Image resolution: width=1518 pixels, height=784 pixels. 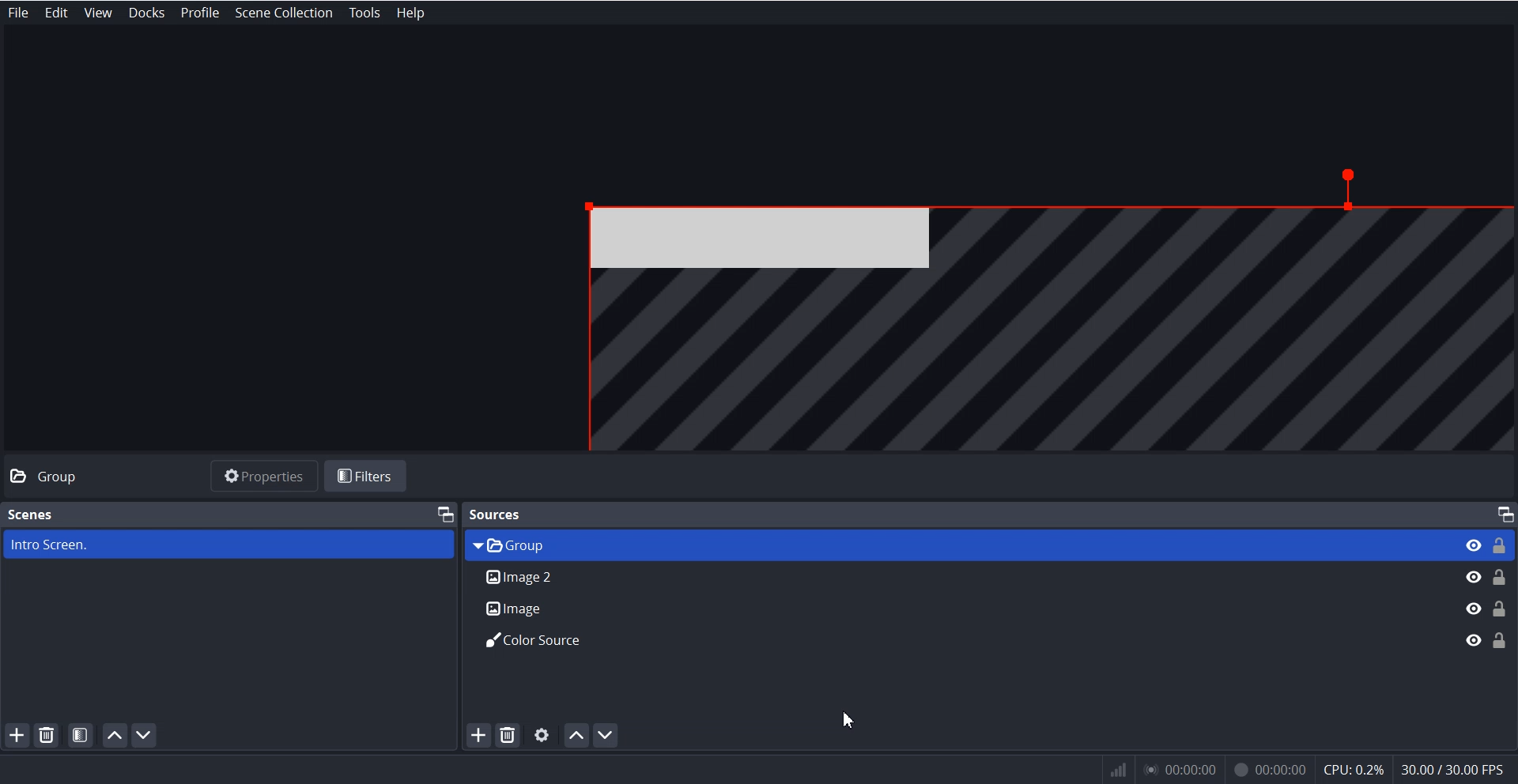 I want to click on Edit, so click(x=57, y=13).